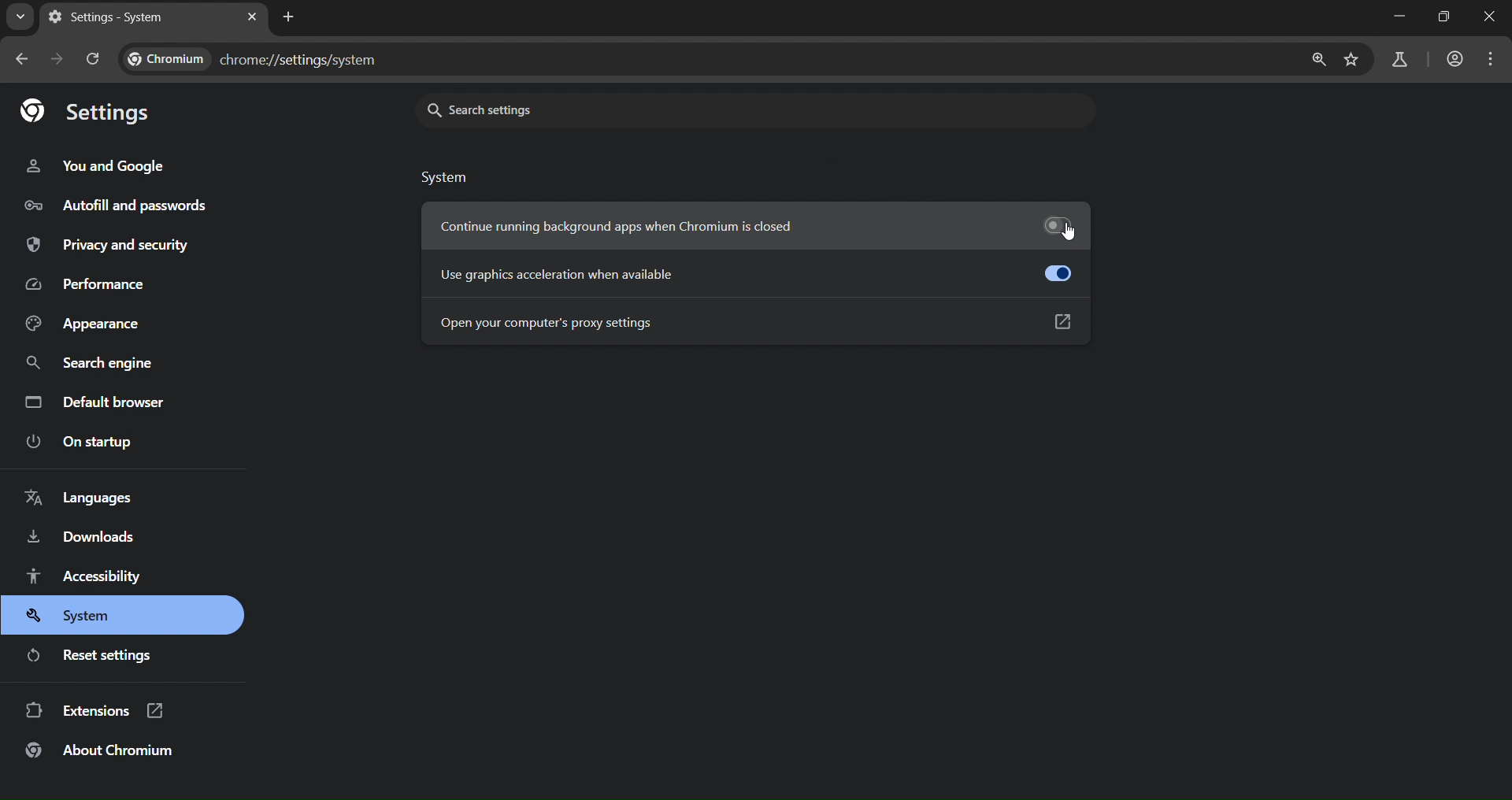  Describe the element at coordinates (1444, 17) in the screenshot. I see `full screen` at that location.